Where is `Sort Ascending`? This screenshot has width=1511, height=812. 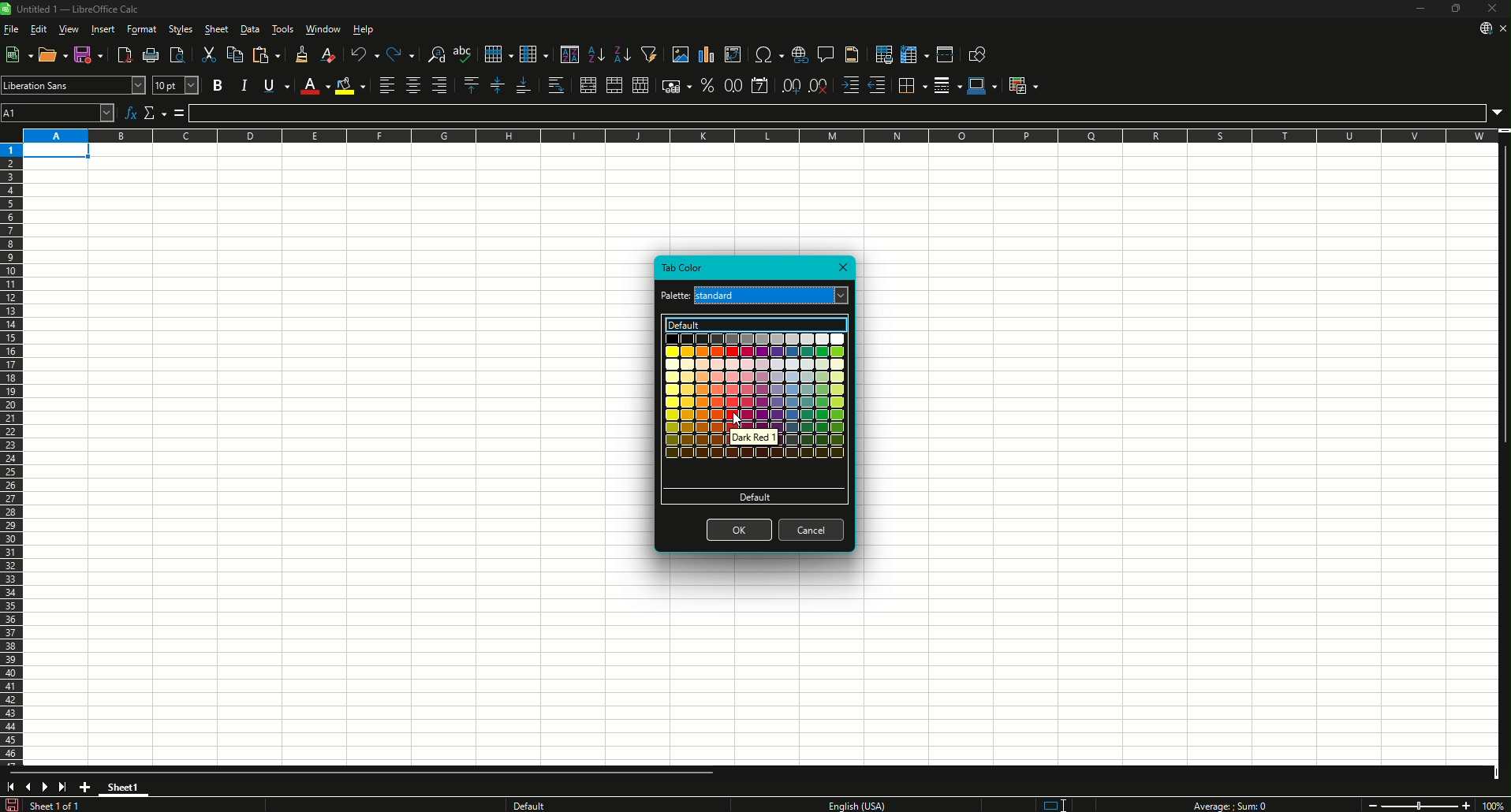
Sort Ascending is located at coordinates (597, 54).